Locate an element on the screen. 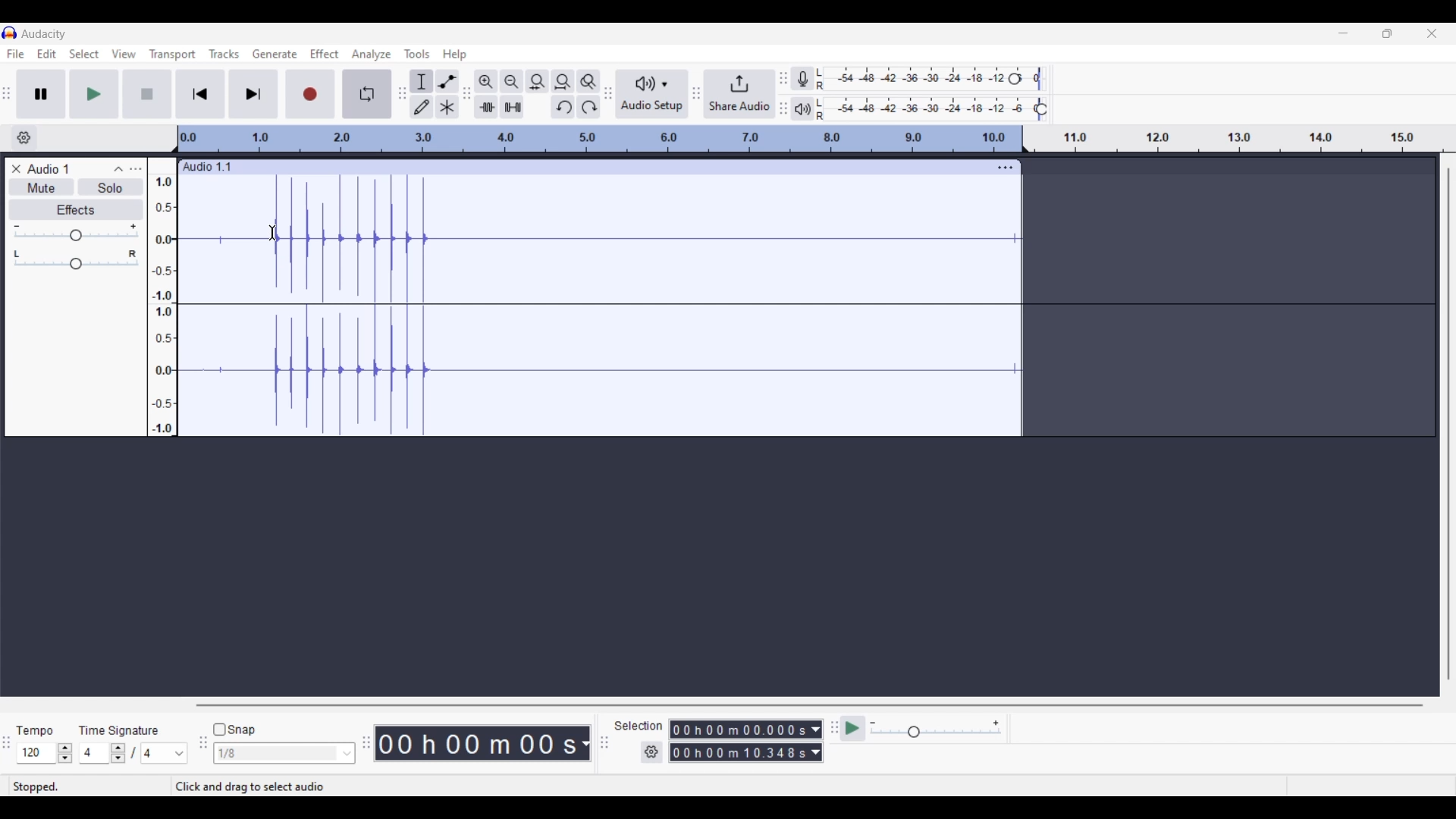 Image resolution: width=1456 pixels, height=819 pixels. Measurement options for duration is located at coordinates (584, 744).